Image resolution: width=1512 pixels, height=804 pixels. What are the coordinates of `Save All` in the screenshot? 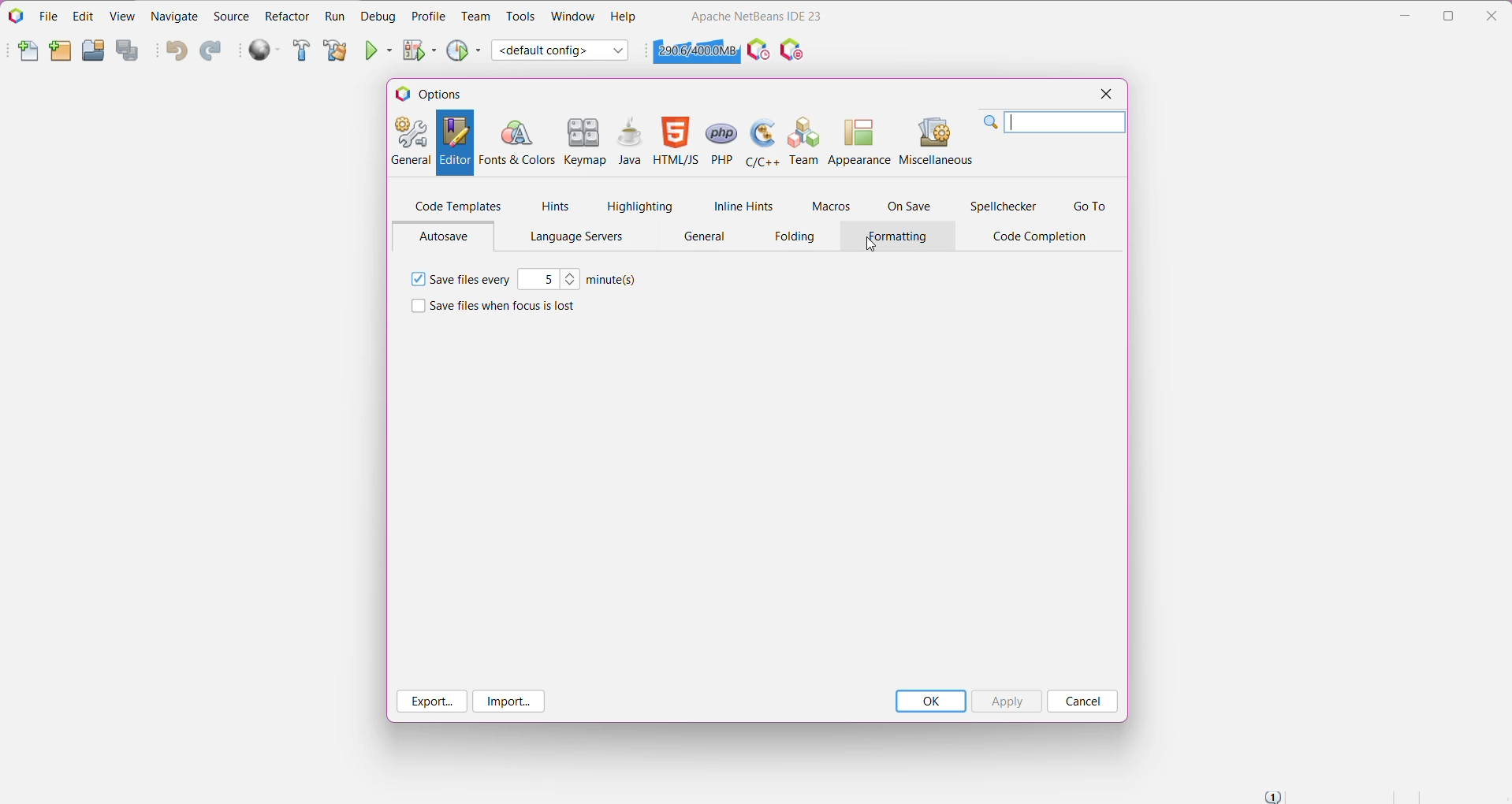 It's located at (130, 51).